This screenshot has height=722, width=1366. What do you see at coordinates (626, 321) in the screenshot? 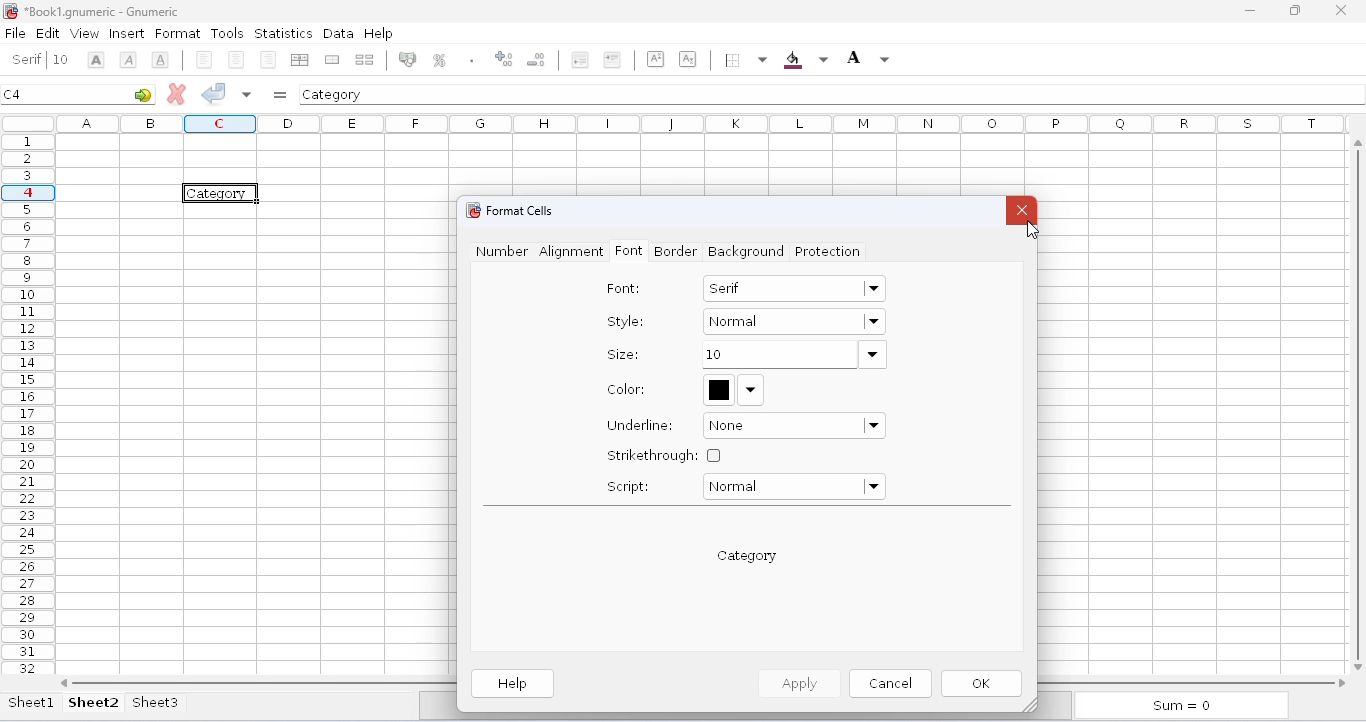
I see `style:` at bounding box center [626, 321].